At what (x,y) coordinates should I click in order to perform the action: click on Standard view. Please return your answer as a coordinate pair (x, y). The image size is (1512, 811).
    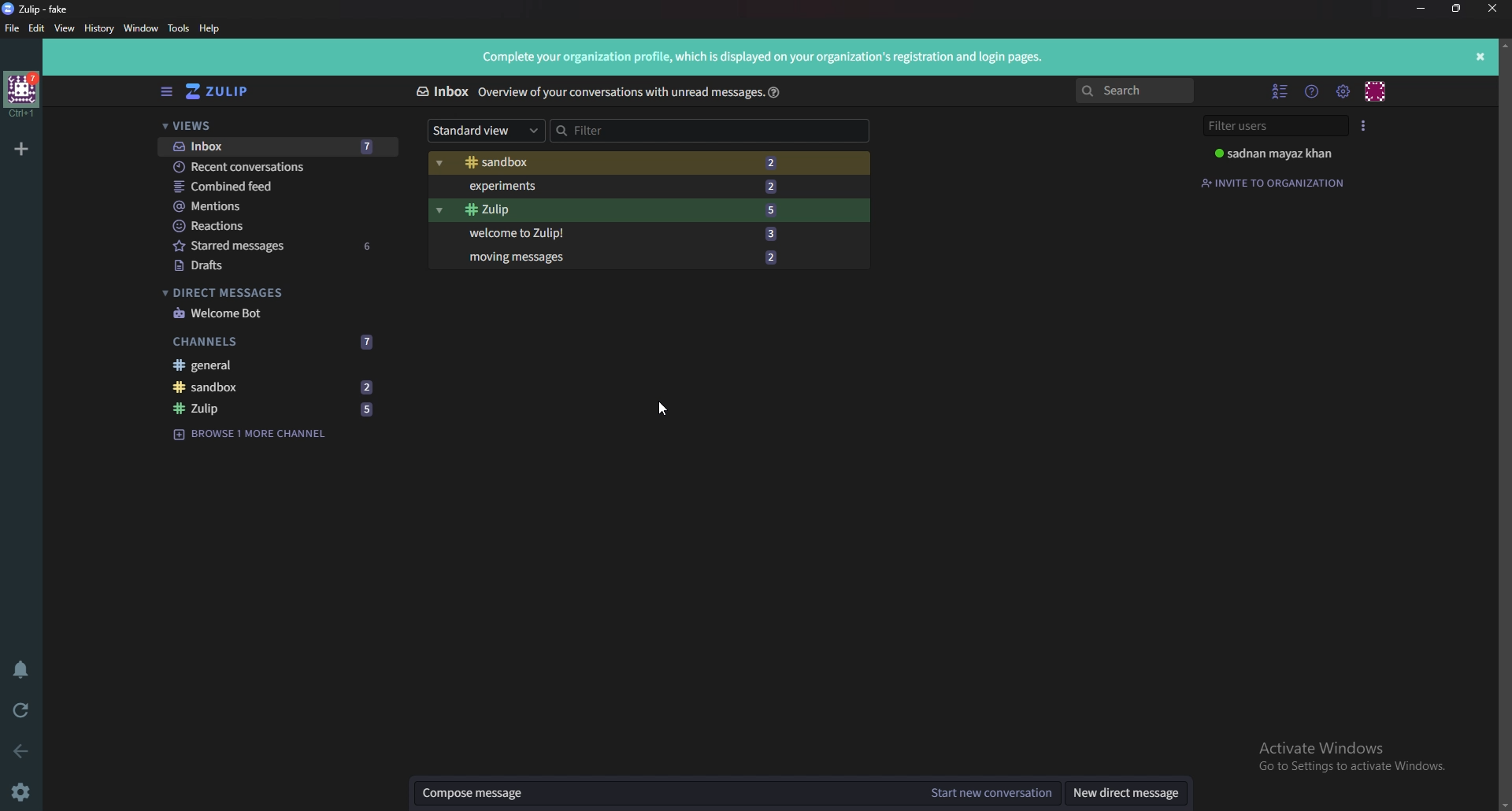
    Looking at the image, I should click on (484, 131).